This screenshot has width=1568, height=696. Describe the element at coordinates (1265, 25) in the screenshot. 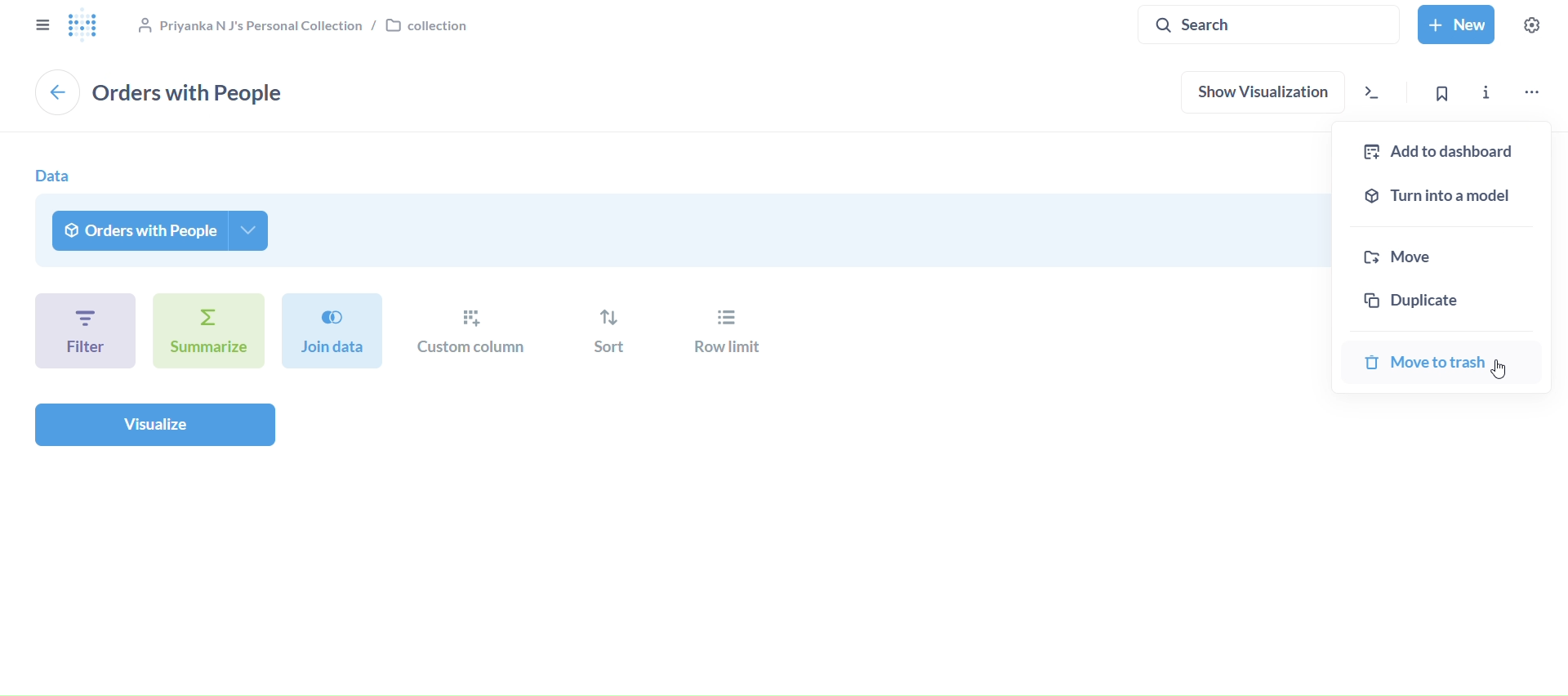

I see `search` at that location.